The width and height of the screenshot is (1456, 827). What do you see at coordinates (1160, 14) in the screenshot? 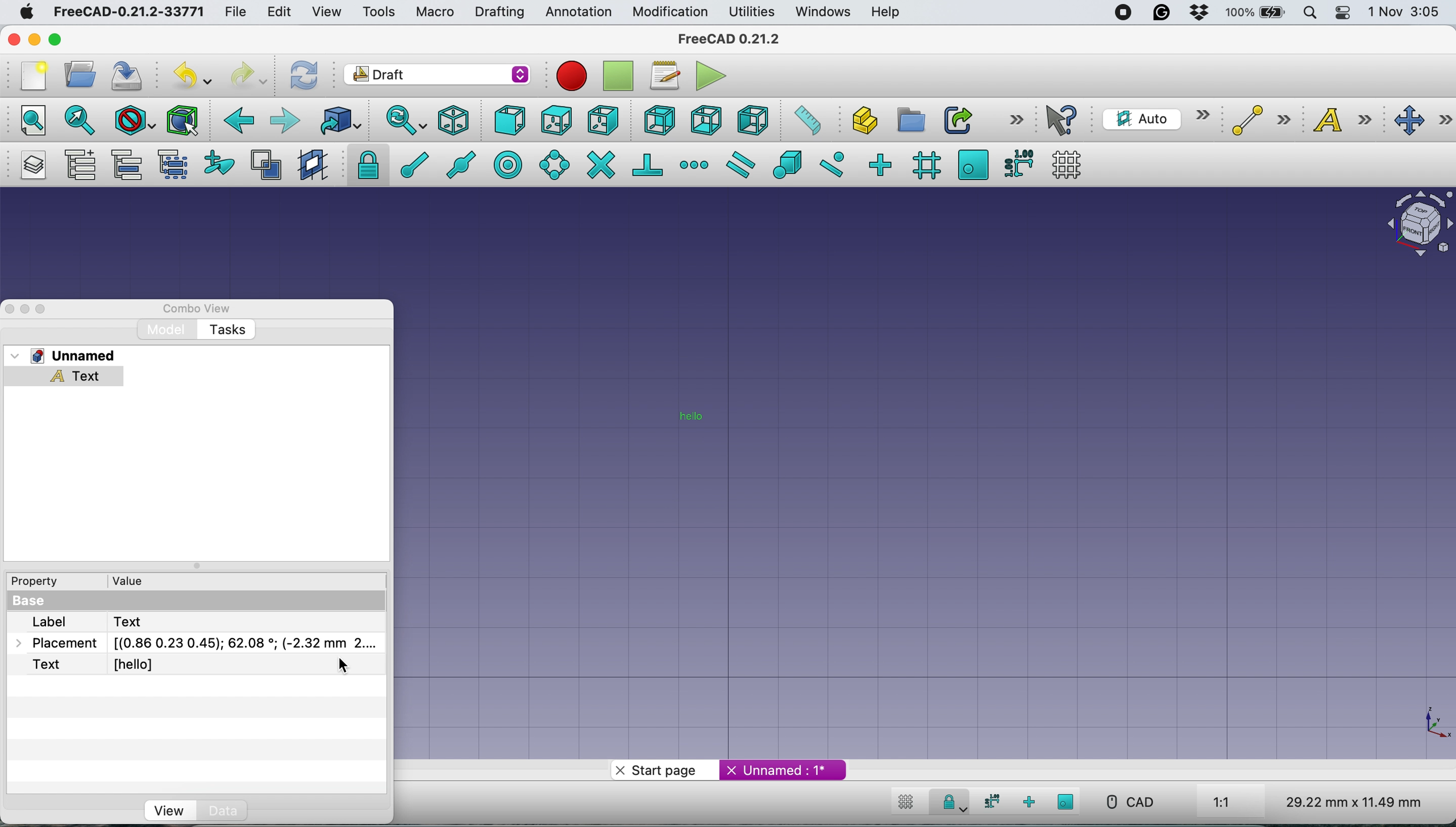
I see `grammarly` at bounding box center [1160, 14].